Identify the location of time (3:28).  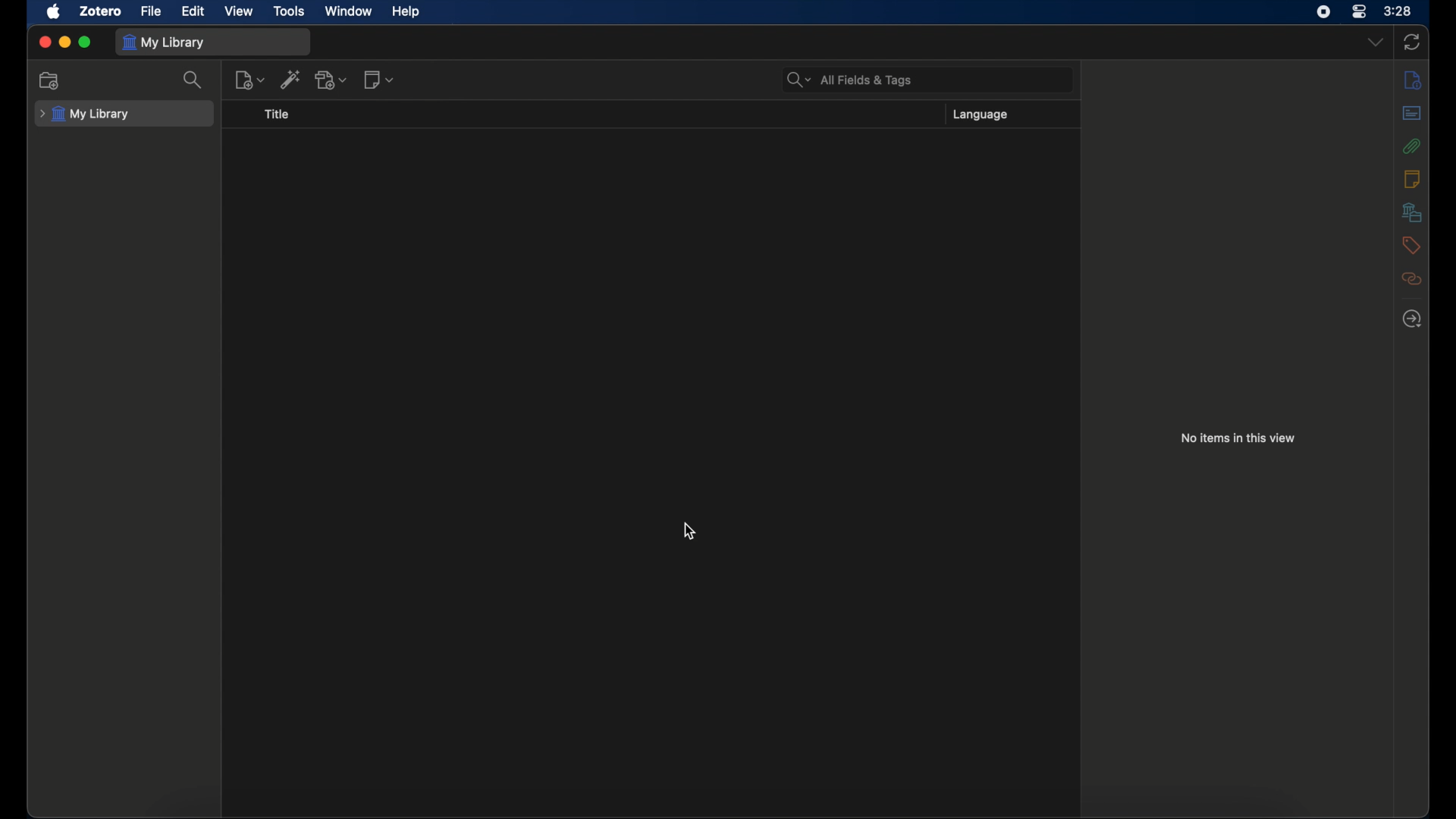
(1398, 10).